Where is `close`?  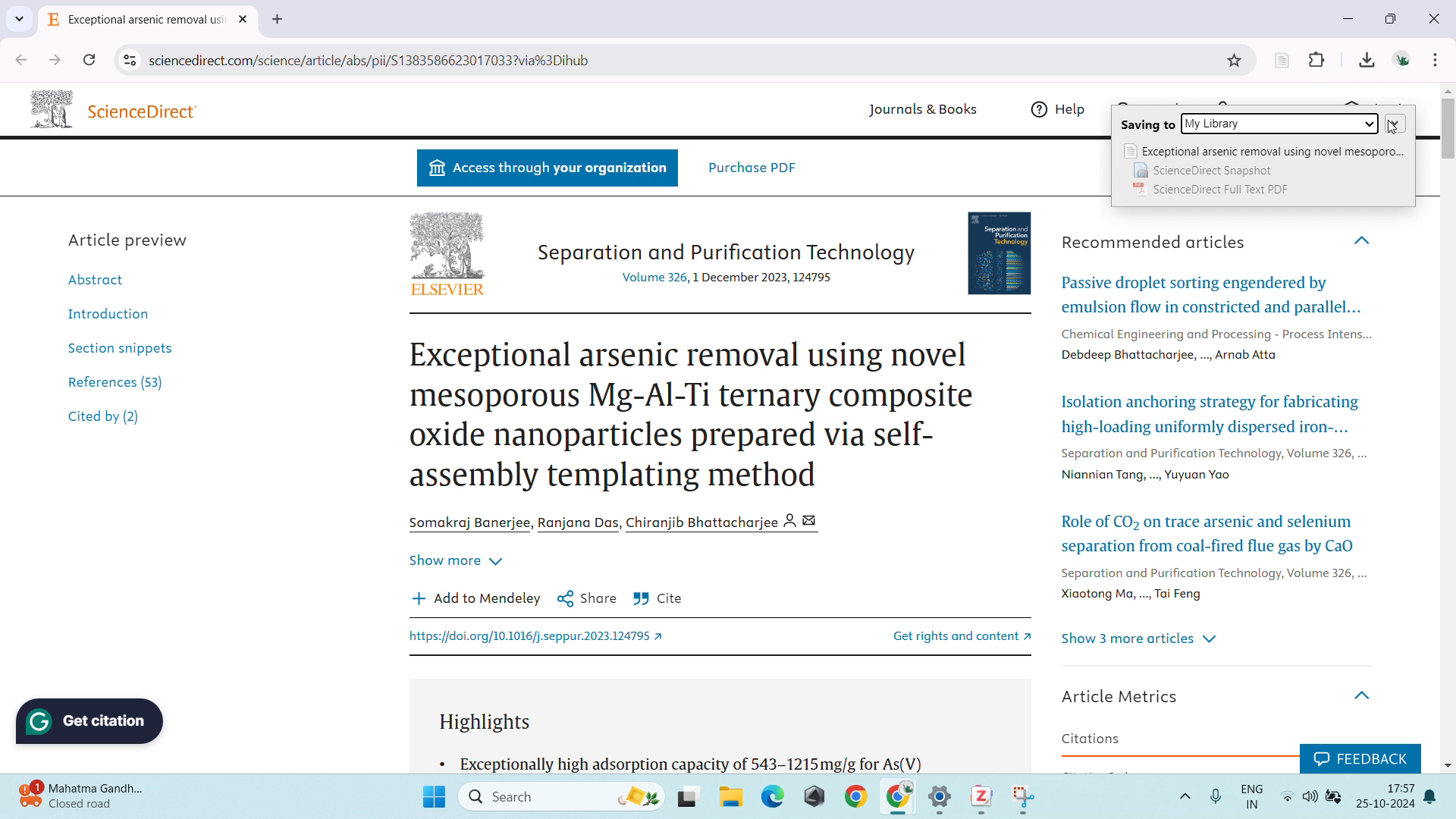 close is located at coordinates (1435, 17).